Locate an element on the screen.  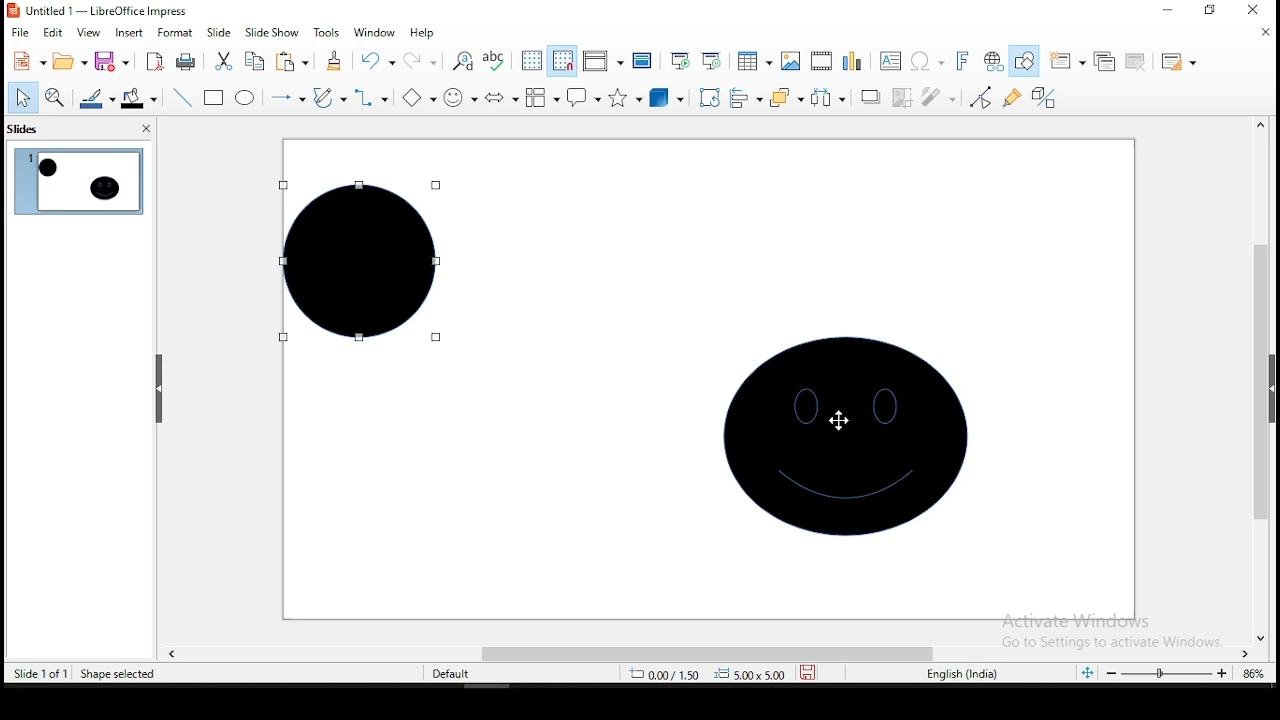
filter is located at coordinates (937, 98).